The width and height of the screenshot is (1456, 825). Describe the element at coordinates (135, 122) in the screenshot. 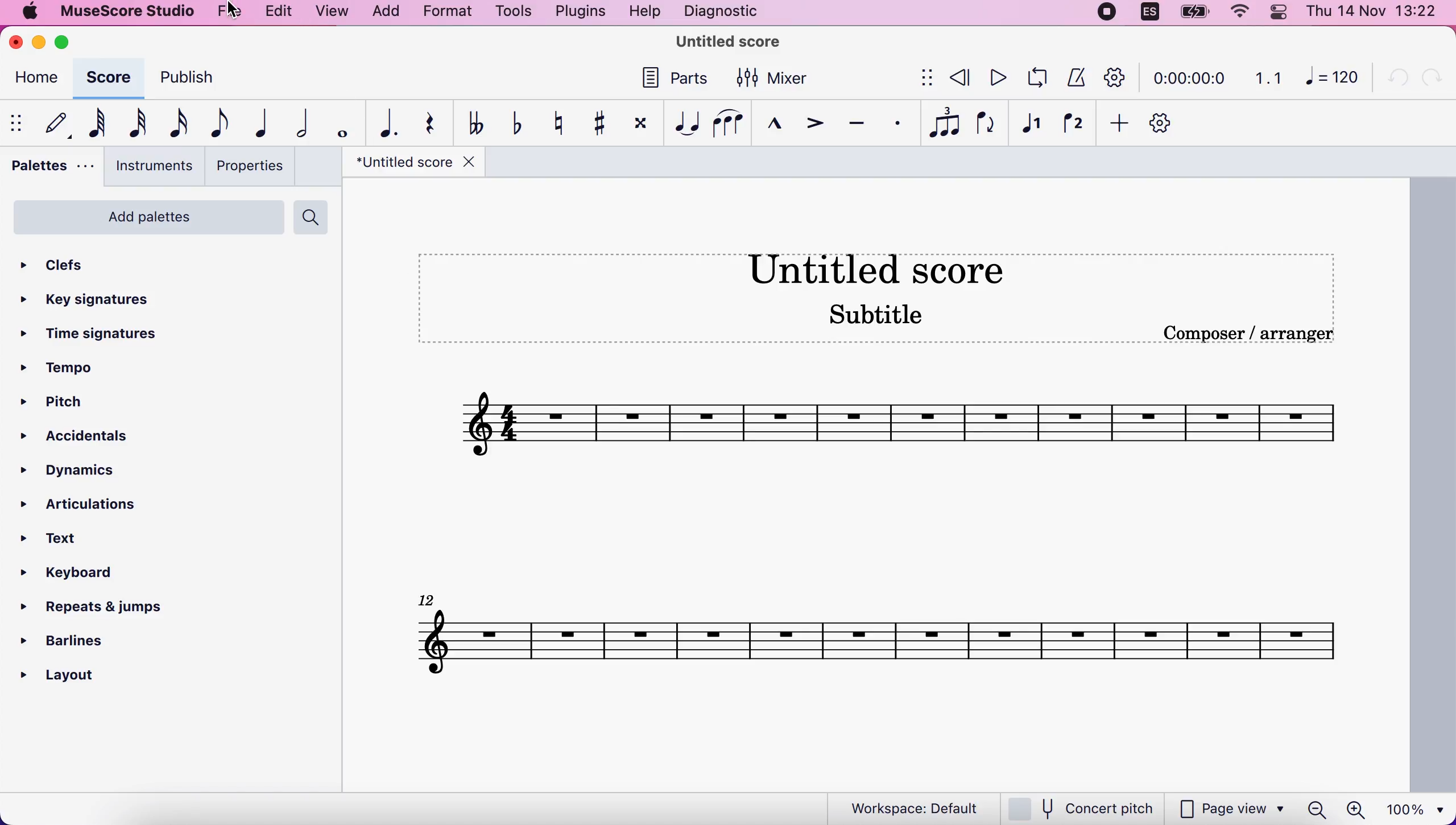

I see `32nd note` at that location.